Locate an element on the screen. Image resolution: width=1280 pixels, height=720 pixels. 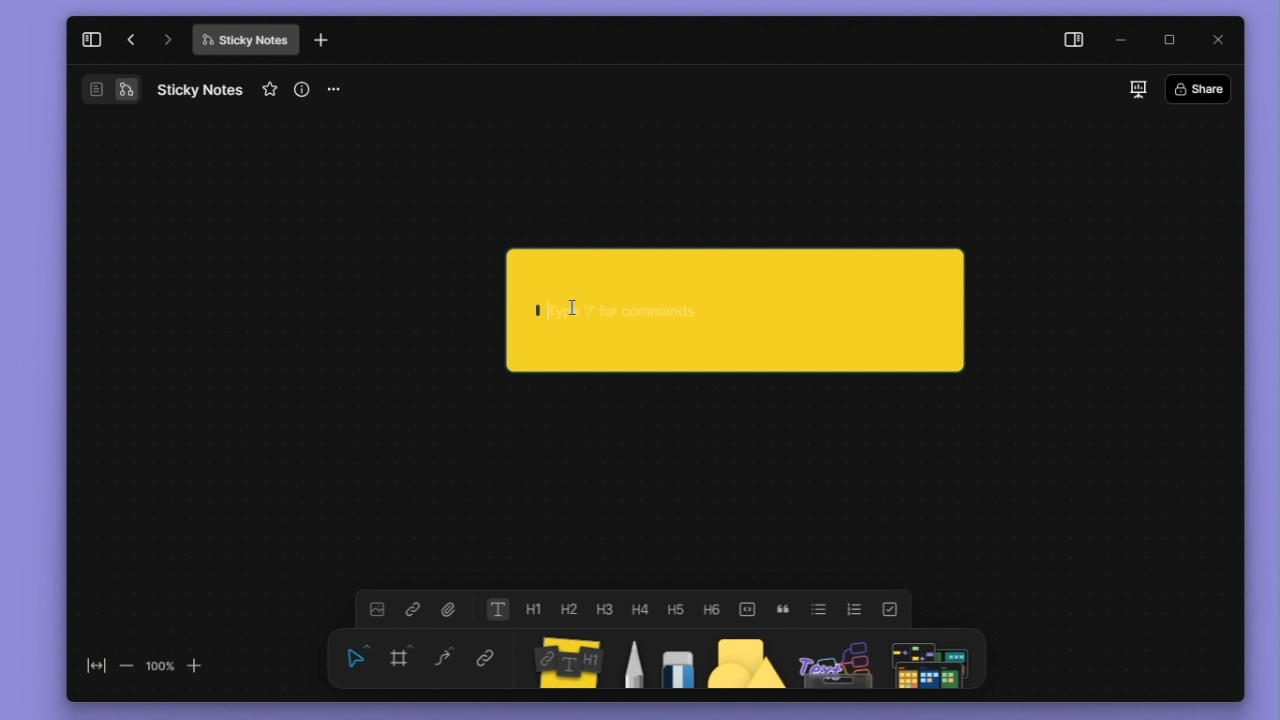
more is located at coordinates (338, 88).